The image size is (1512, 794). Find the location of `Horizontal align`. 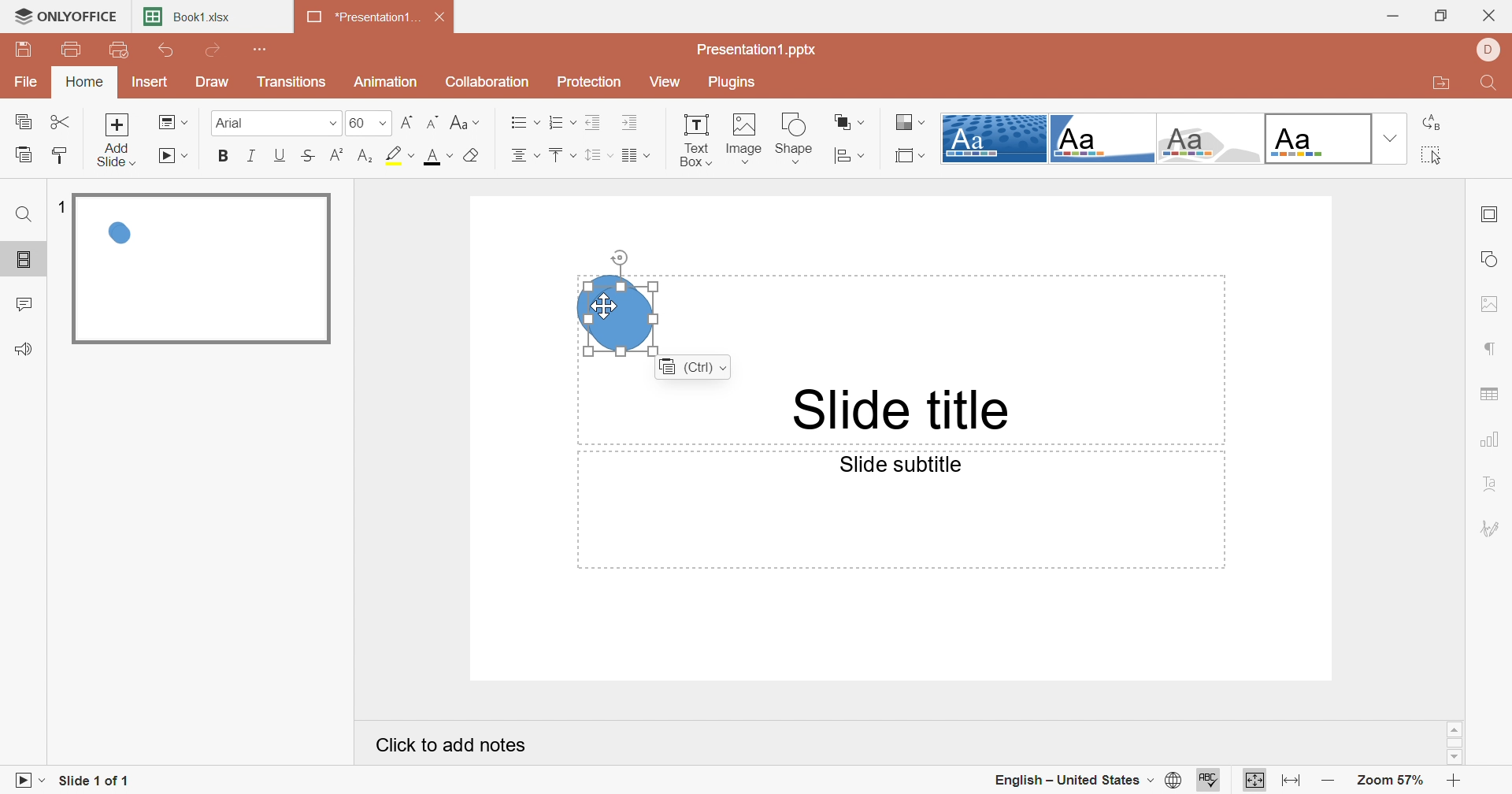

Horizontal align is located at coordinates (525, 155).